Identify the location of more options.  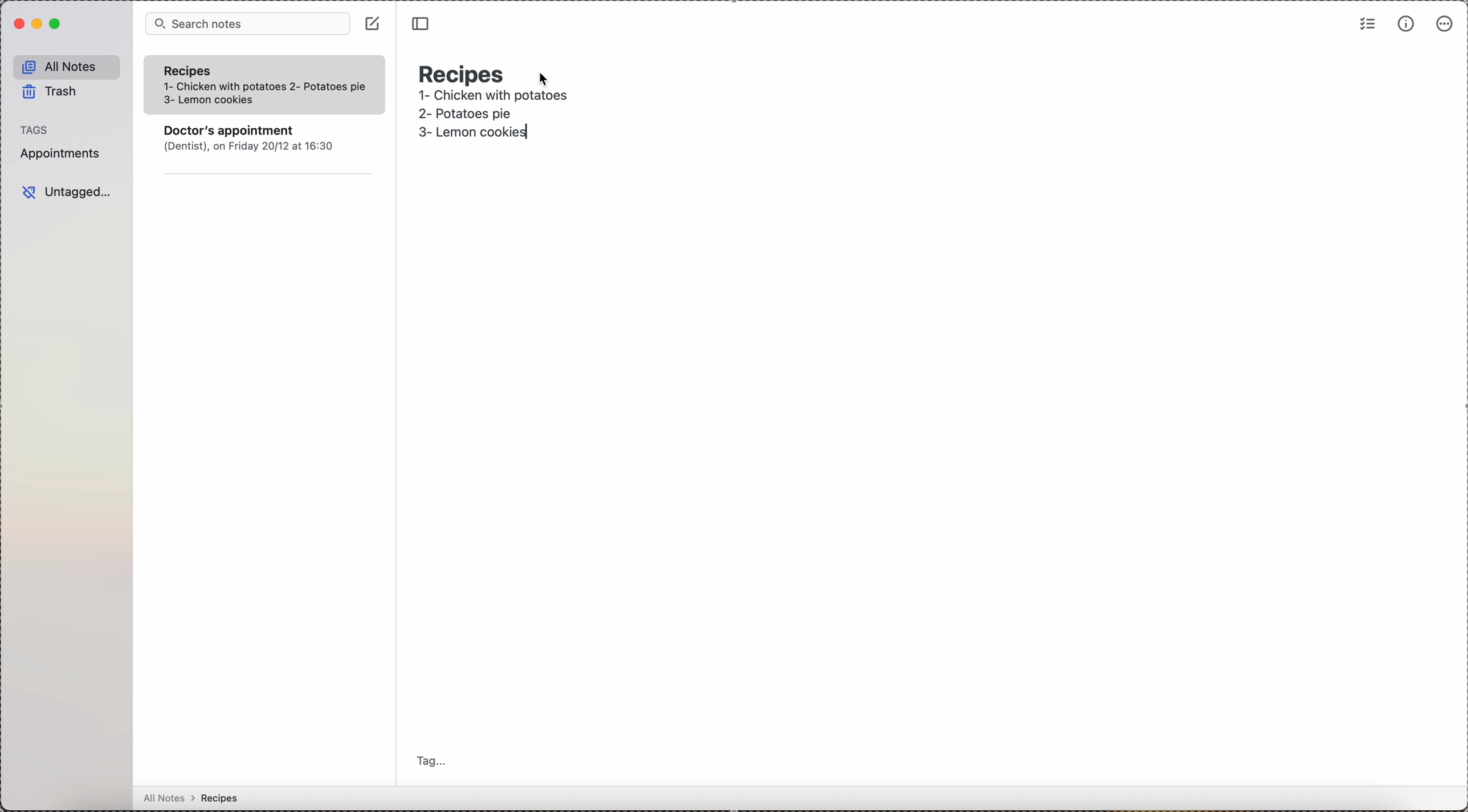
(1443, 25).